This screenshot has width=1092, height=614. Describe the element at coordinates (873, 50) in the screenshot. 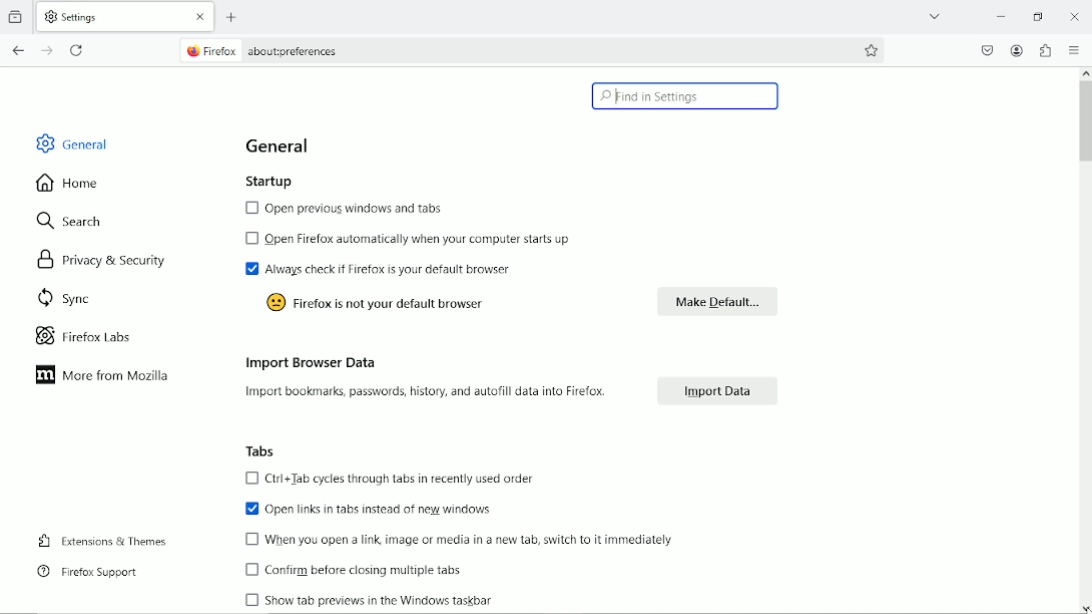

I see `Bookmark this page` at that location.